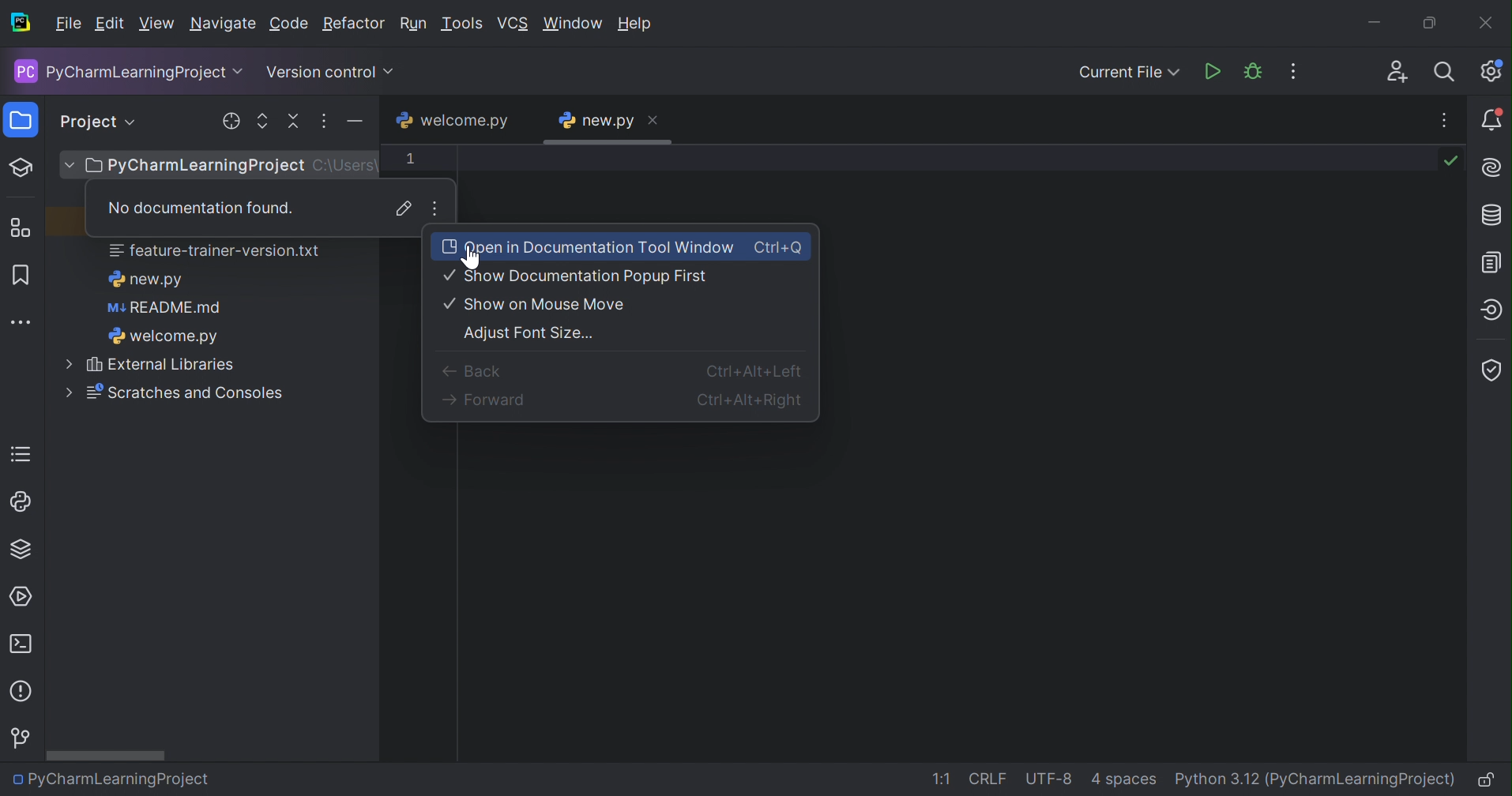 The width and height of the screenshot is (1512, 796). Describe the element at coordinates (404, 208) in the screenshot. I see `Jump to source` at that location.